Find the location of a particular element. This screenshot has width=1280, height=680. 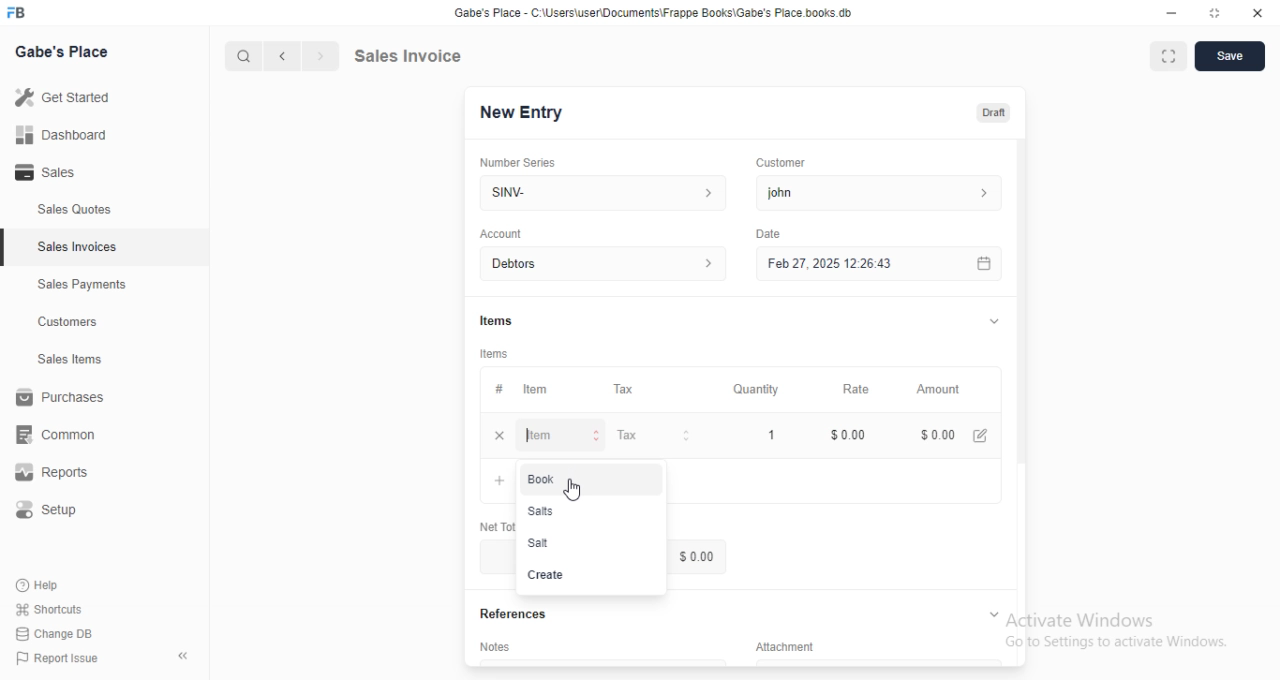

Reports is located at coordinates (49, 473).